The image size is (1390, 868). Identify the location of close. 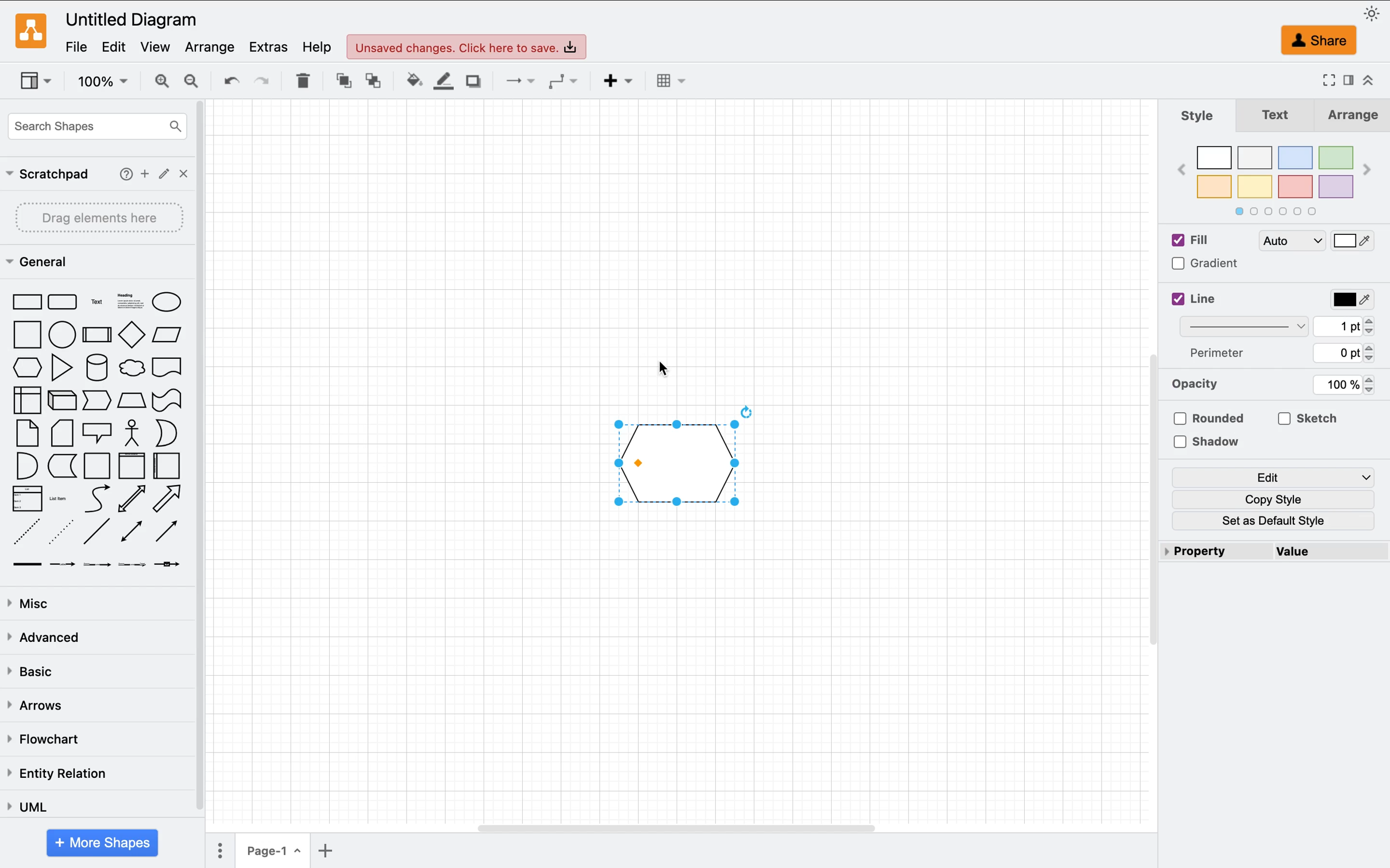
(183, 173).